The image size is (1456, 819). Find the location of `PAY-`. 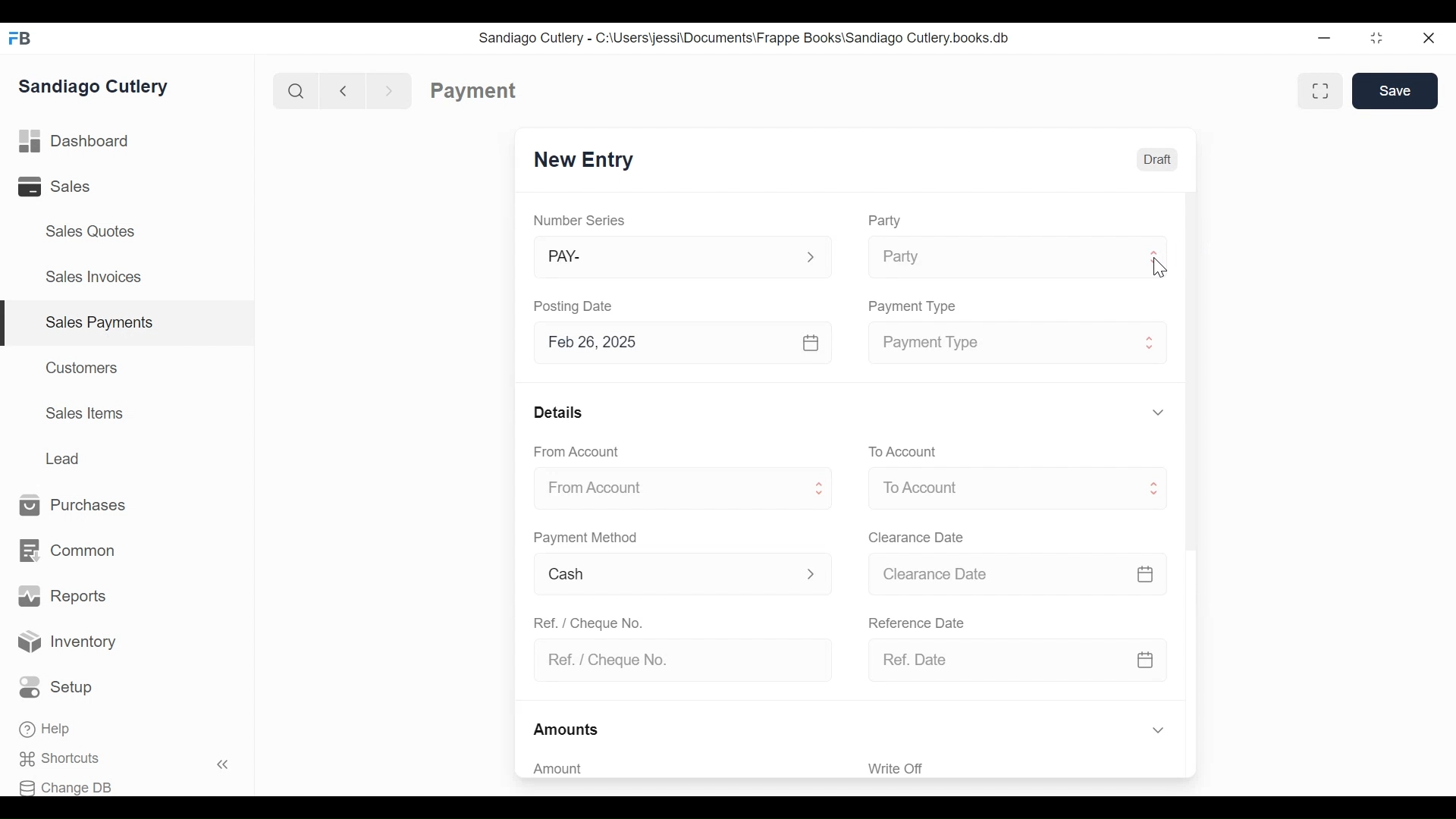

PAY- is located at coordinates (666, 259).